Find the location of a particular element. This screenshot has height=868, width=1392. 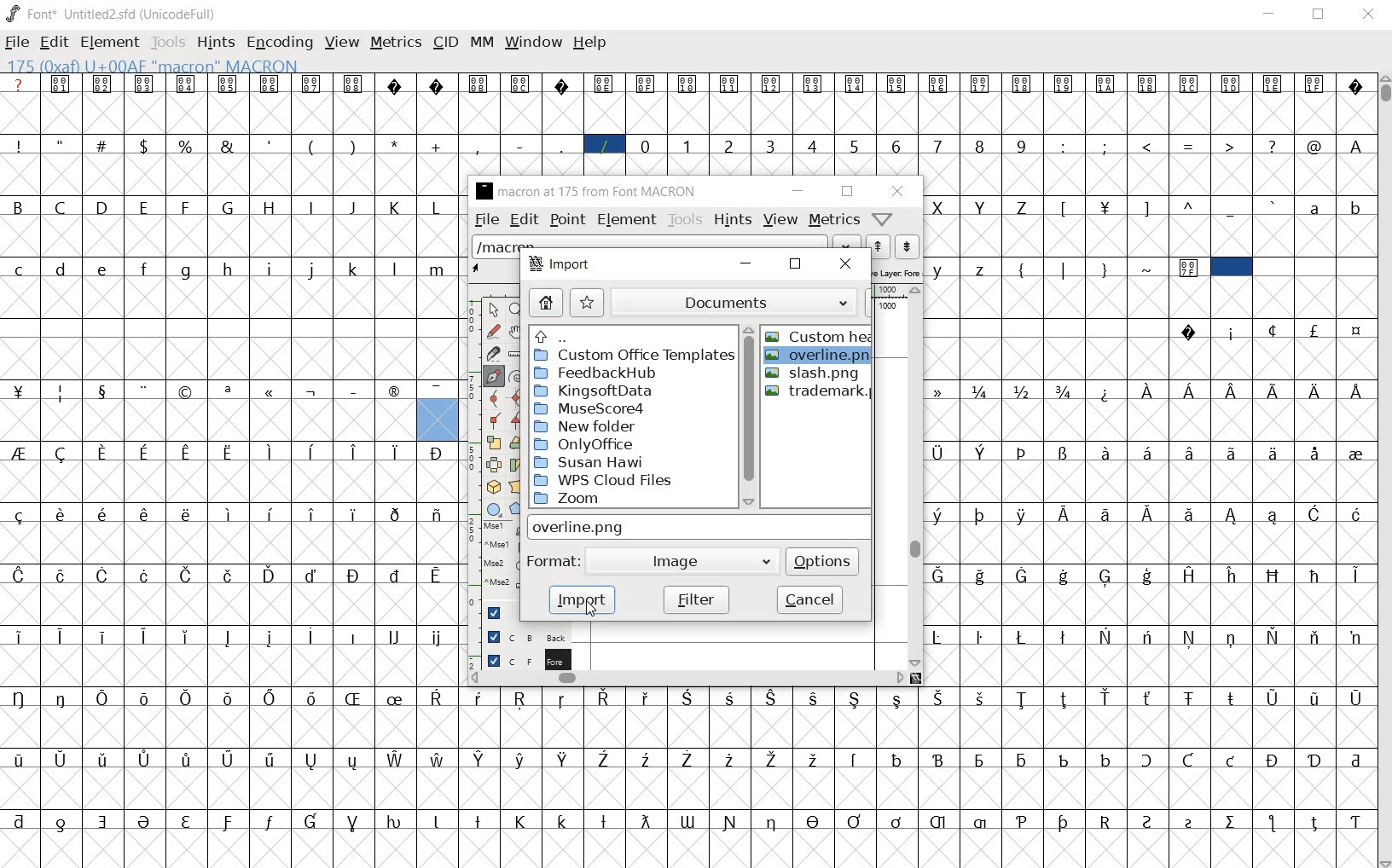

Symbol is located at coordinates (564, 698).